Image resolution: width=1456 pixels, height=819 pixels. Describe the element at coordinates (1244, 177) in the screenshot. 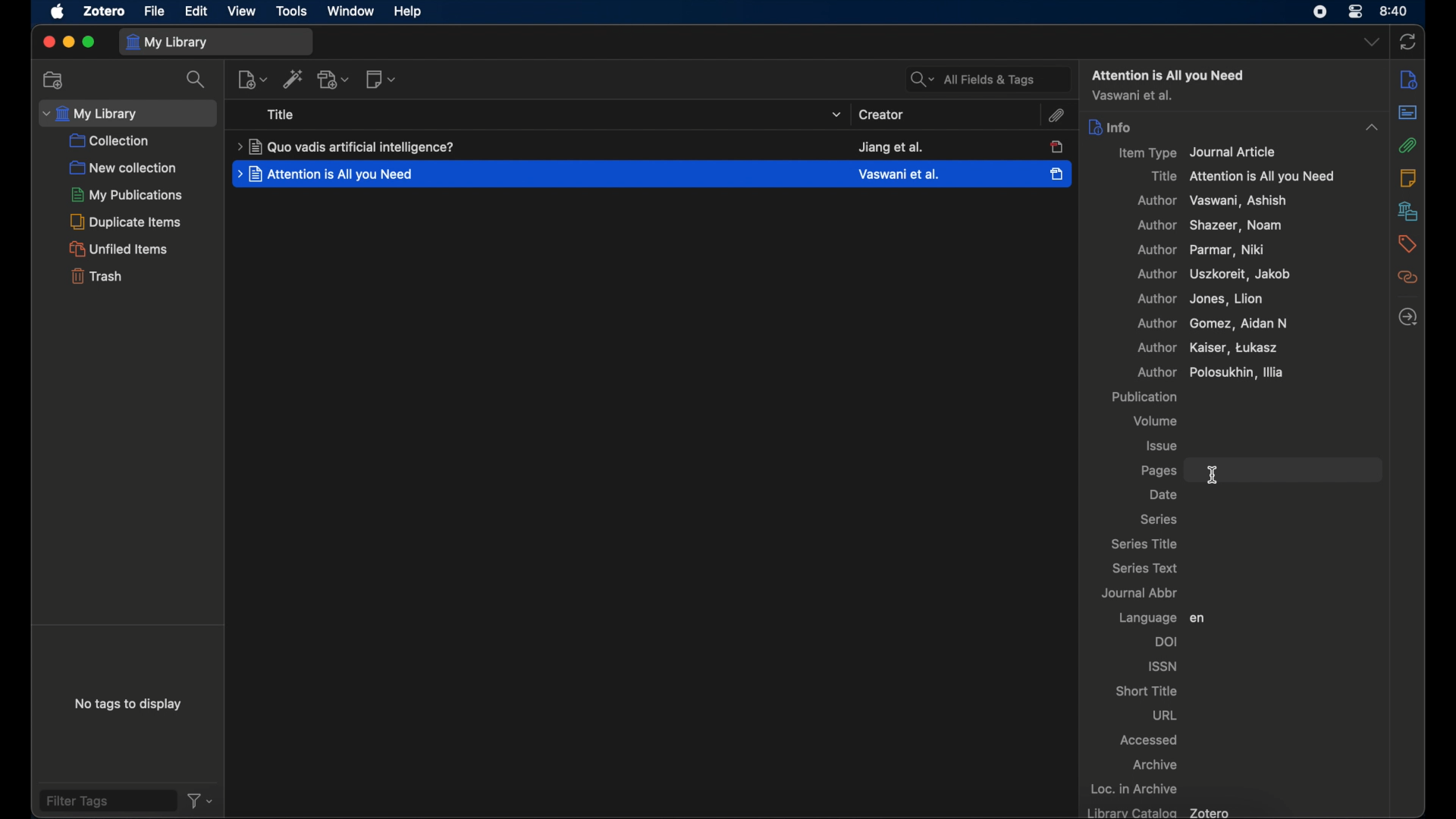

I see `title attention is all you need` at that location.